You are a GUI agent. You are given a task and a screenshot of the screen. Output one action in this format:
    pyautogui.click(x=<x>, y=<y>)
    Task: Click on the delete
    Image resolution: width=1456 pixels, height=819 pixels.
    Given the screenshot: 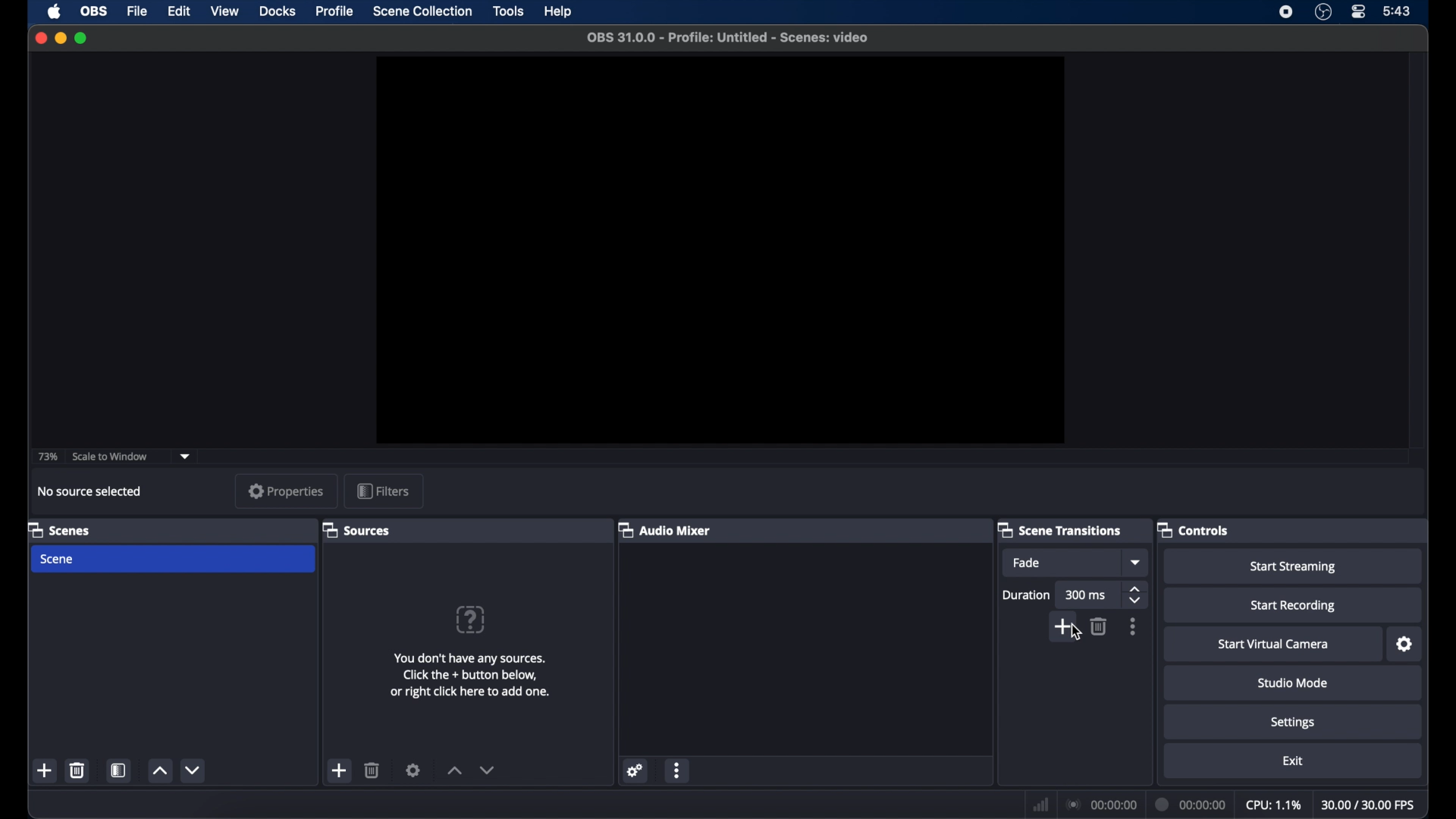 What is the action you would take?
    pyautogui.click(x=372, y=770)
    